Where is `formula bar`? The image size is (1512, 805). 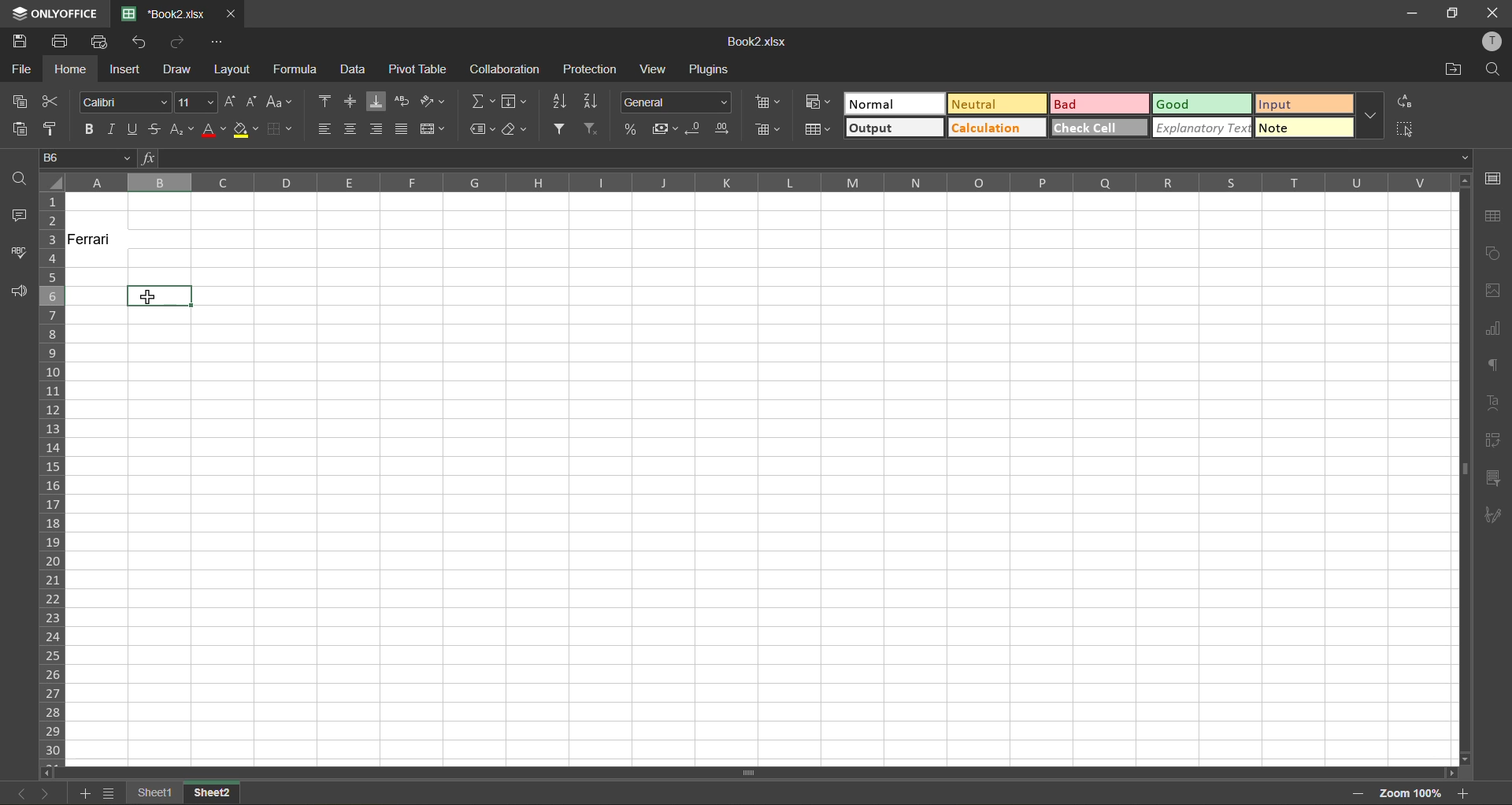 formula bar is located at coordinates (806, 158).